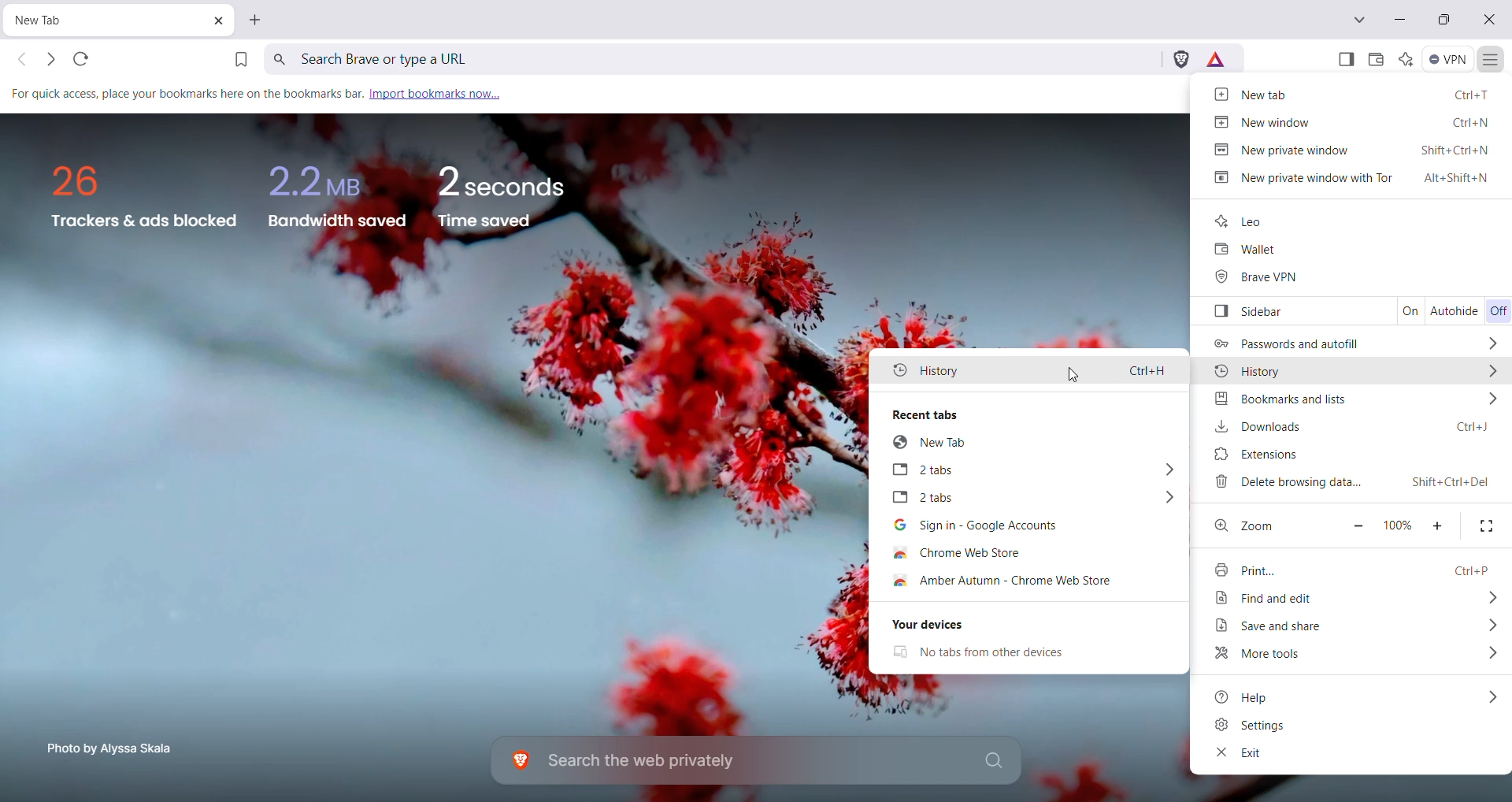 This screenshot has height=802, width=1512. What do you see at coordinates (239, 58) in the screenshot?
I see `Bookmark this page` at bounding box center [239, 58].